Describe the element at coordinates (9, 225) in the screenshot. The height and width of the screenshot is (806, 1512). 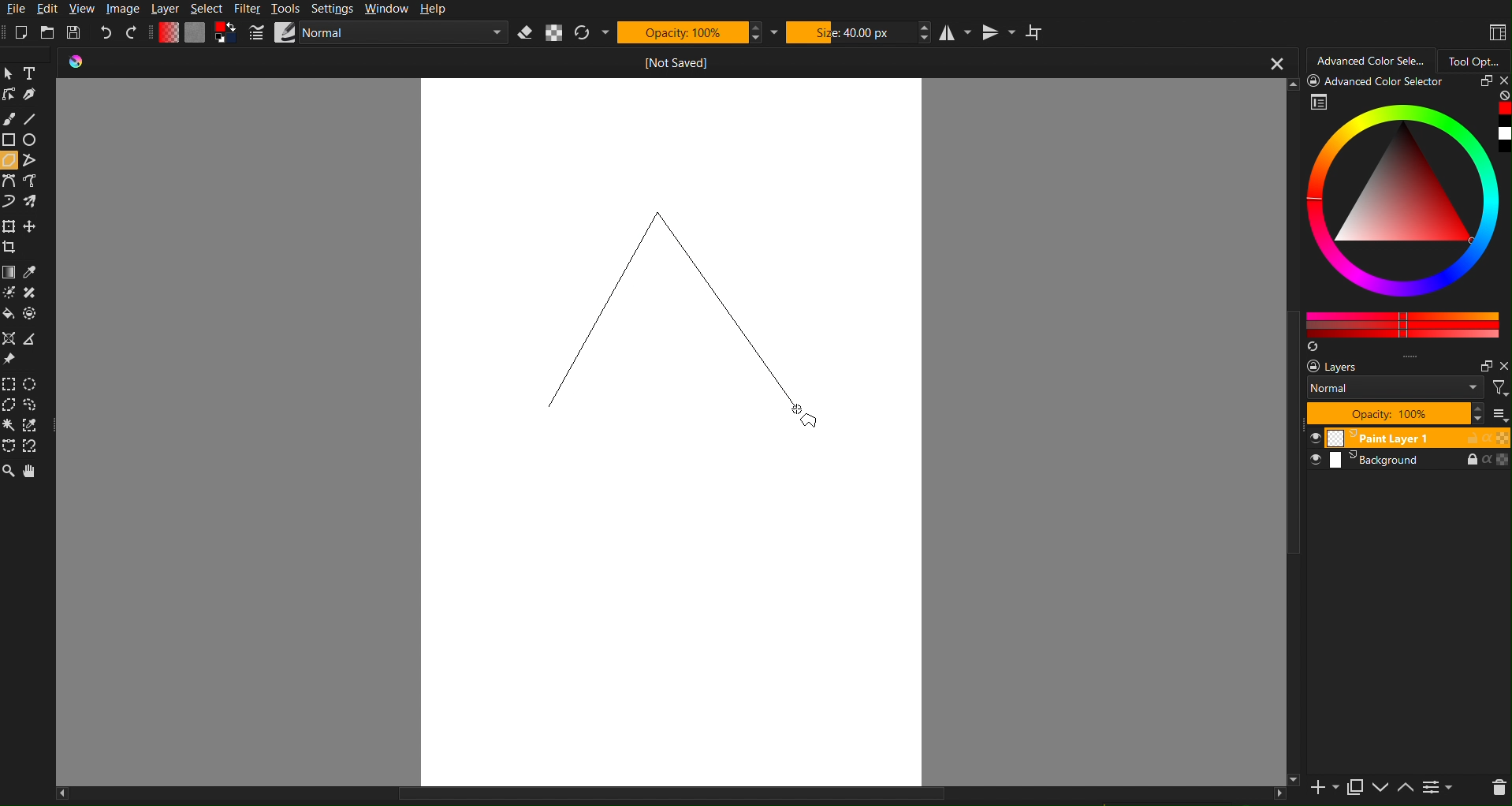
I see `transform a layer or a selection` at that location.